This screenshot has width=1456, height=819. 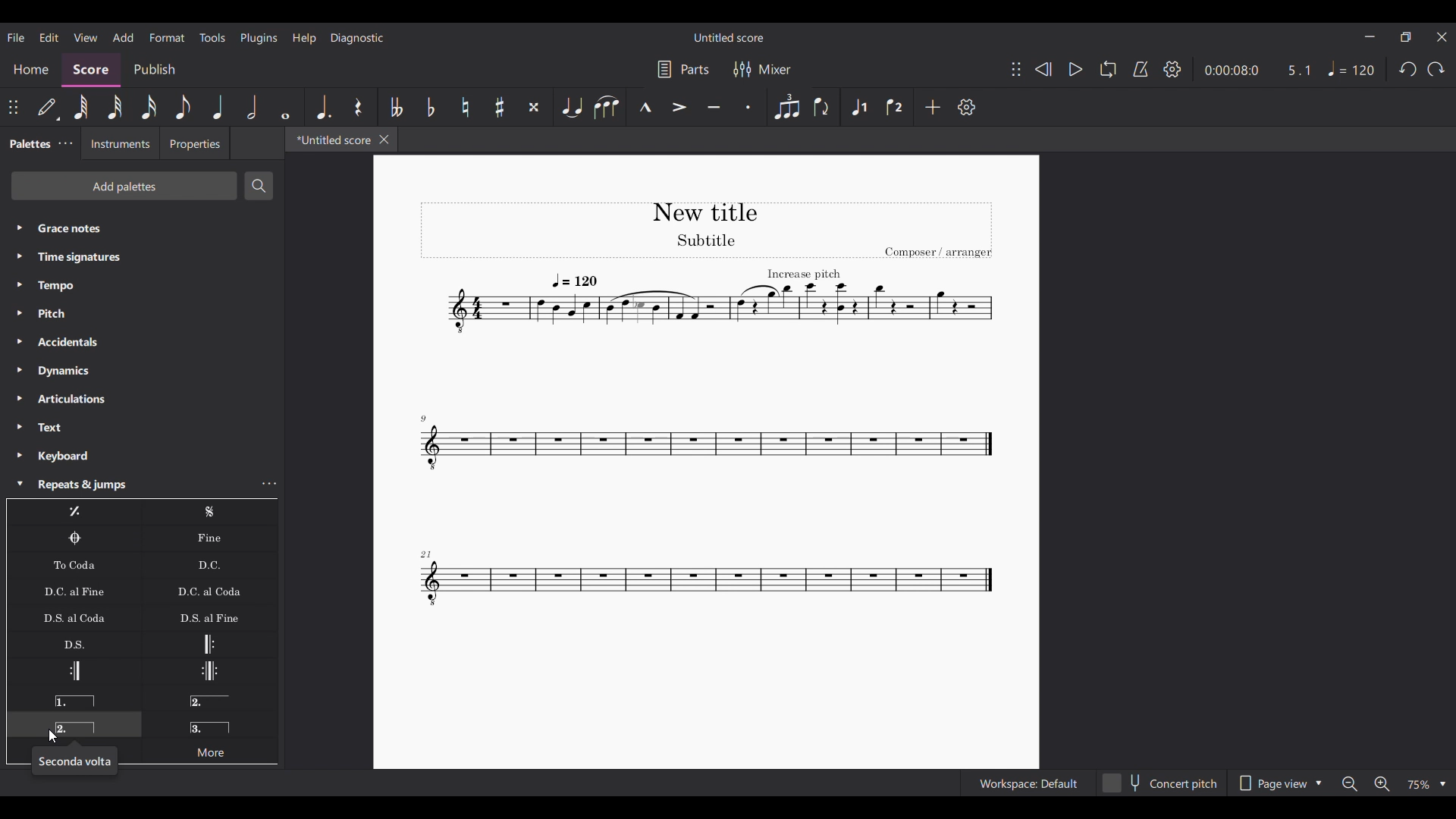 What do you see at coordinates (1351, 784) in the screenshot?
I see `Zoom out` at bounding box center [1351, 784].